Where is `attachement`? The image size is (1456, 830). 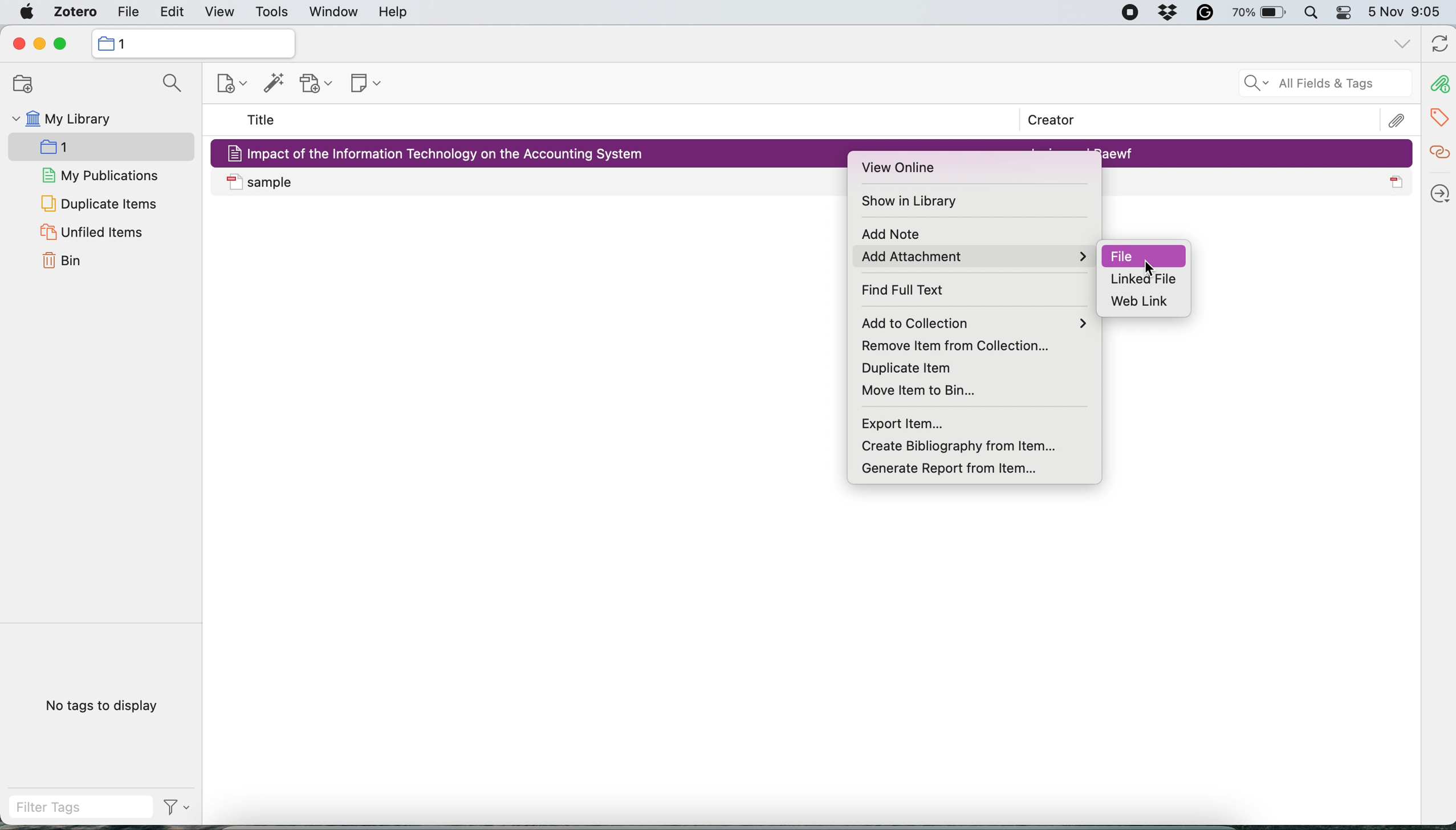 attachement is located at coordinates (1399, 120).